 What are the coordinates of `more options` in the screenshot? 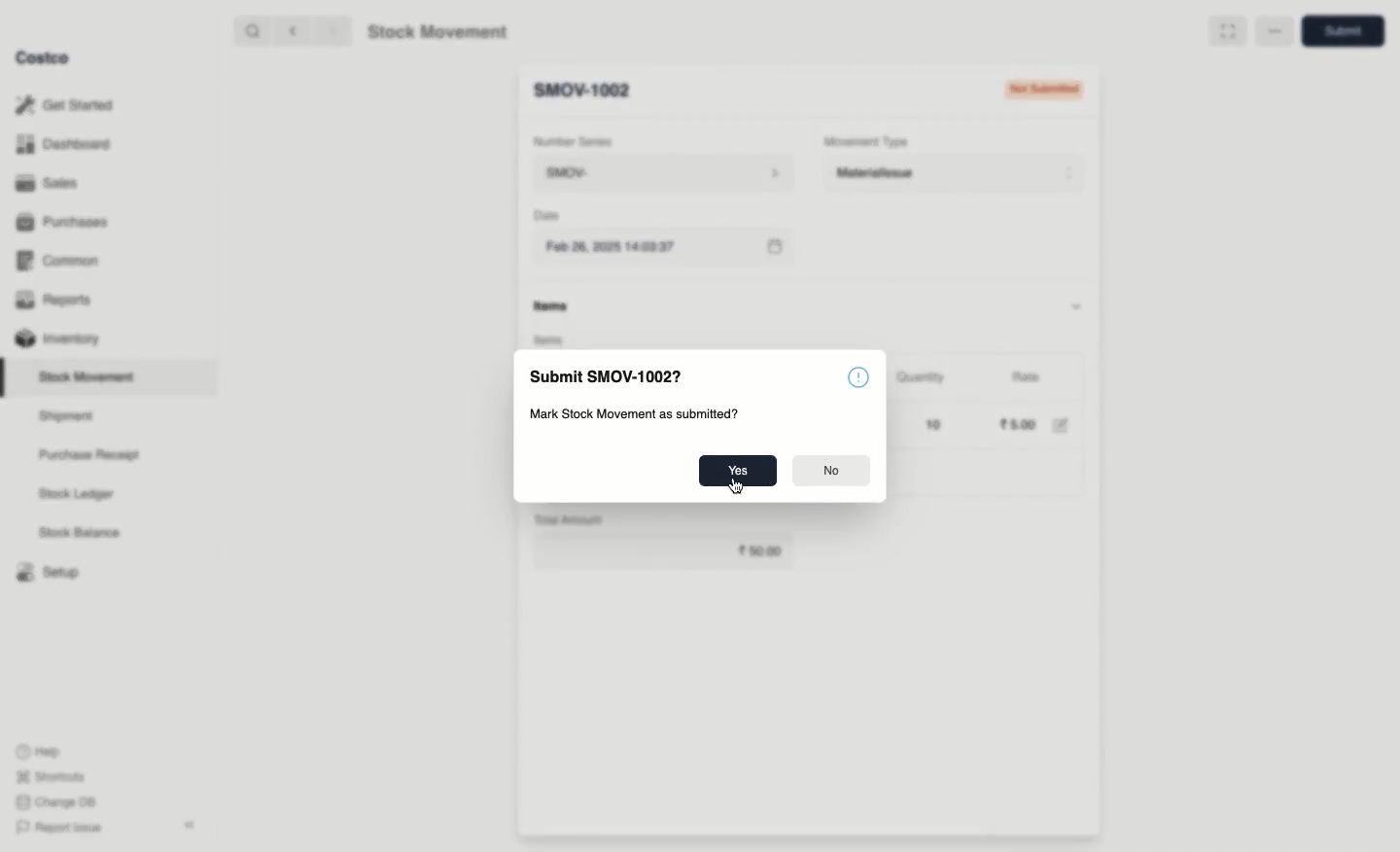 It's located at (1273, 32).